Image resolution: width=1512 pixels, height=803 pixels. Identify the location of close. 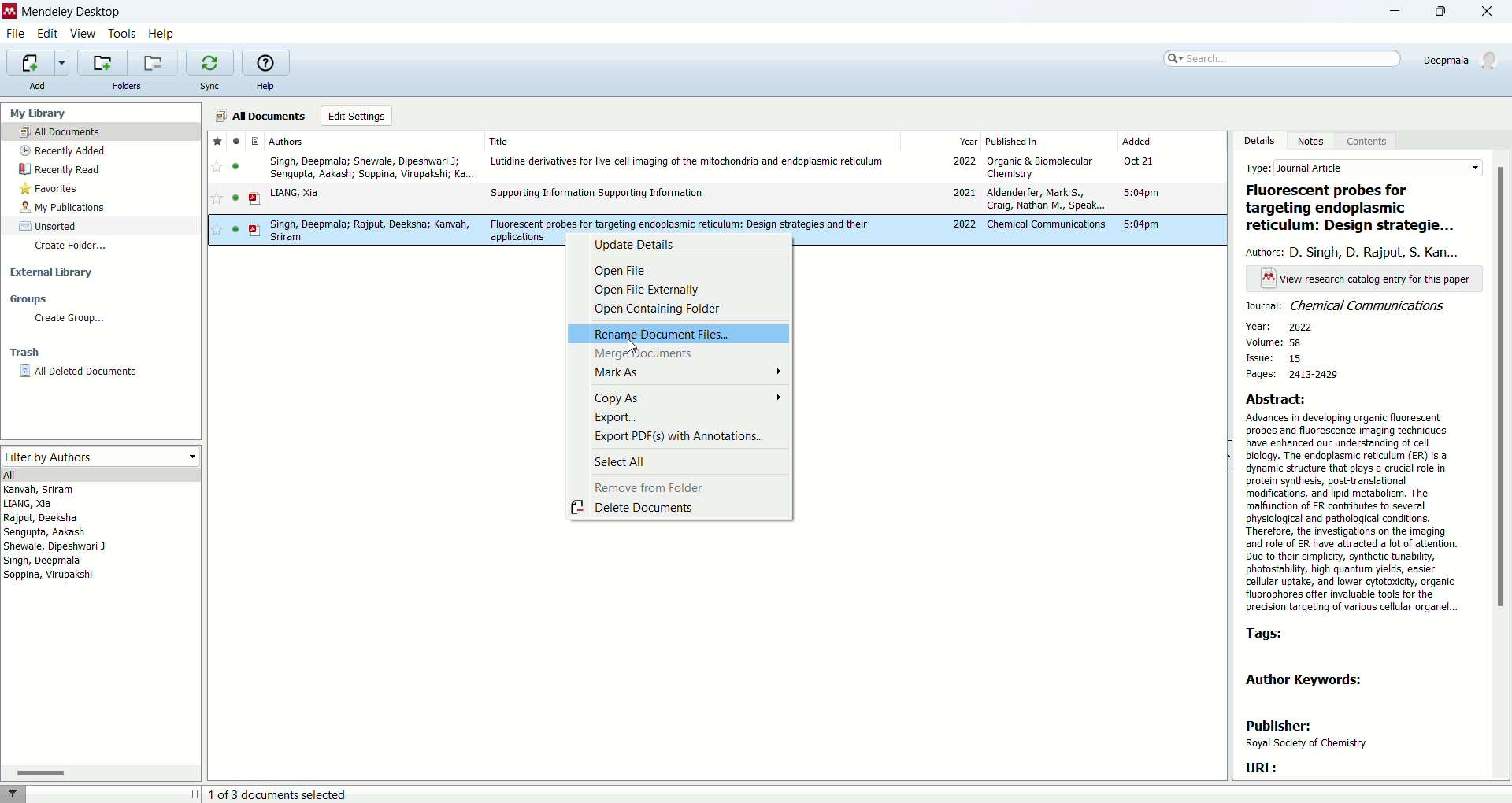
(1487, 12).